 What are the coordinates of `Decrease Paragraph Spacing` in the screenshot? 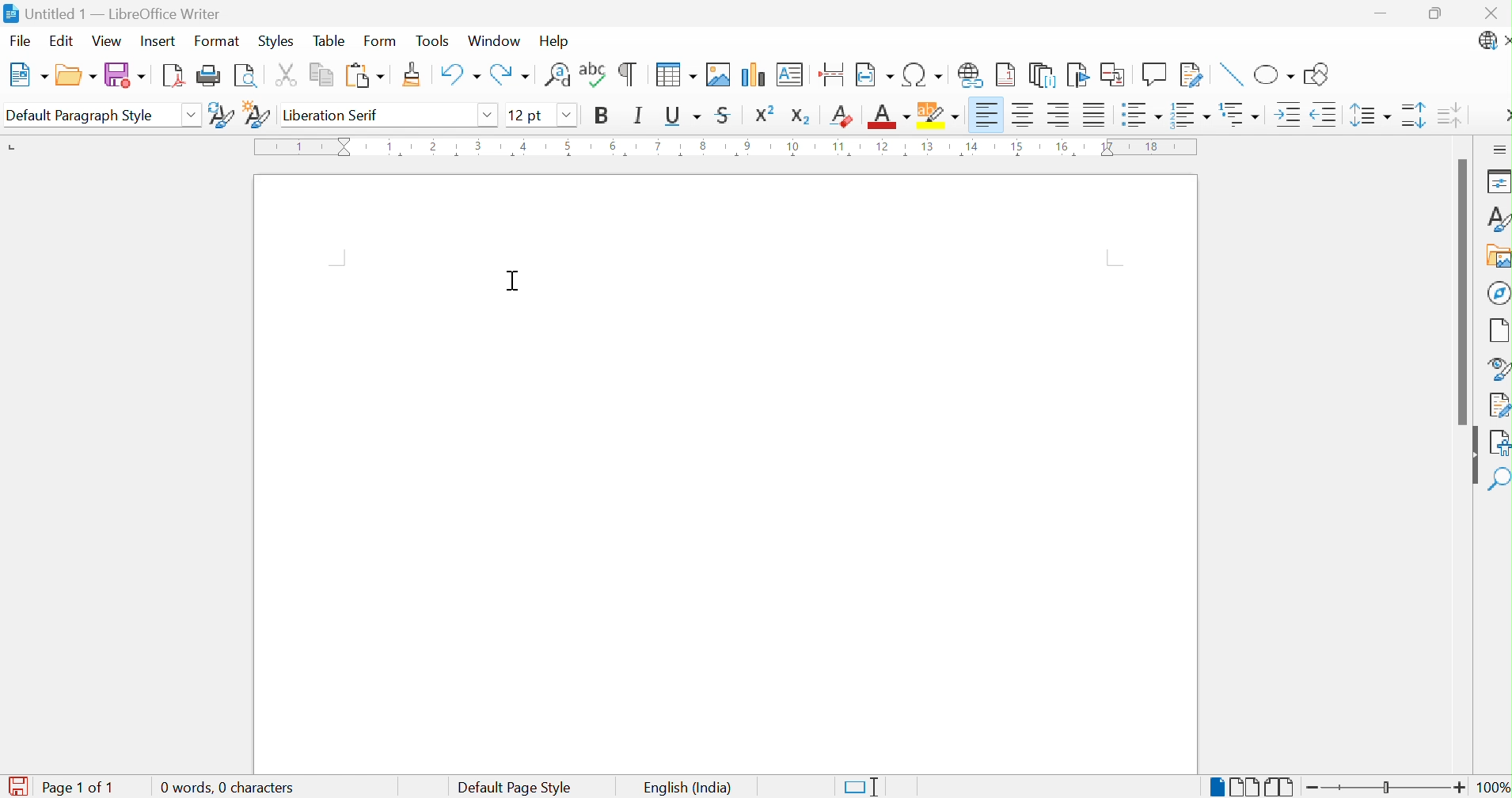 It's located at (1451, 117).